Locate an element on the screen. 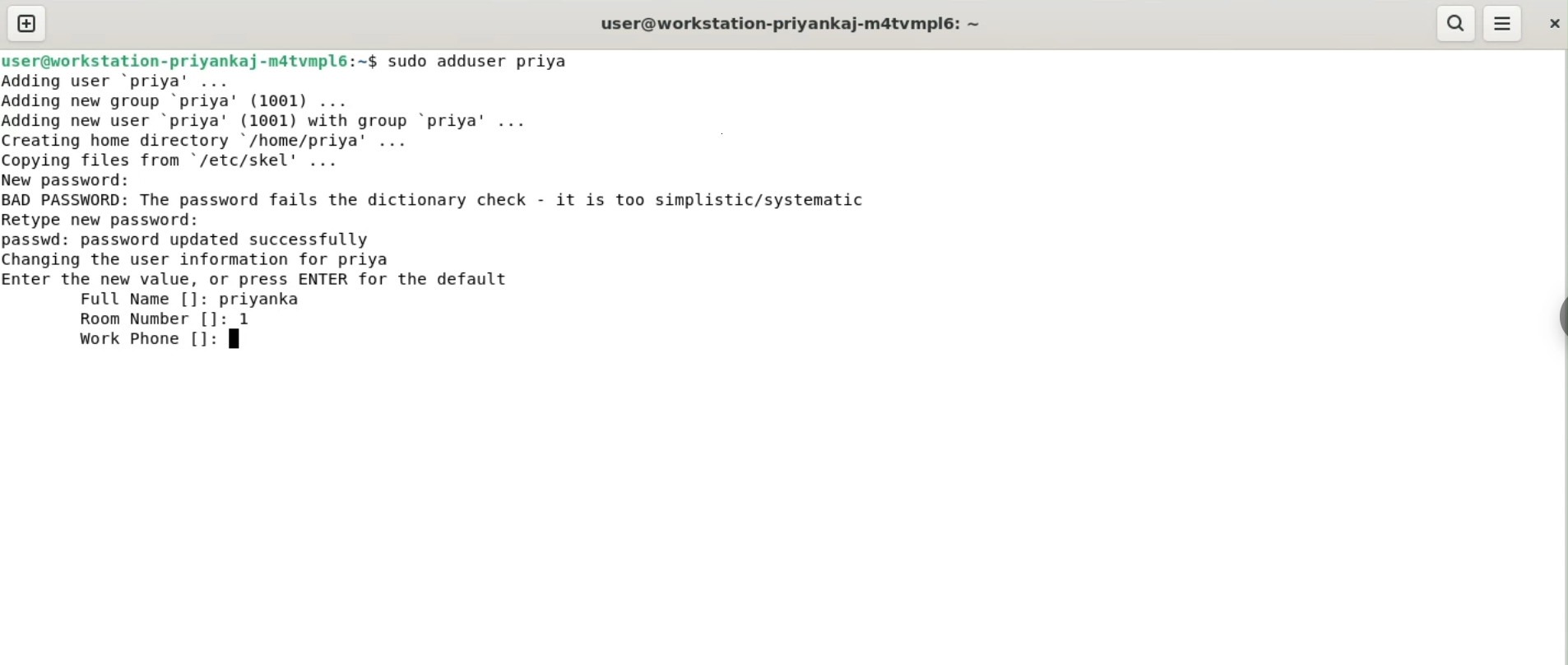 The width and height of the screenshot is (1568, 665). work phone []: is located at coordinates (154, 342).